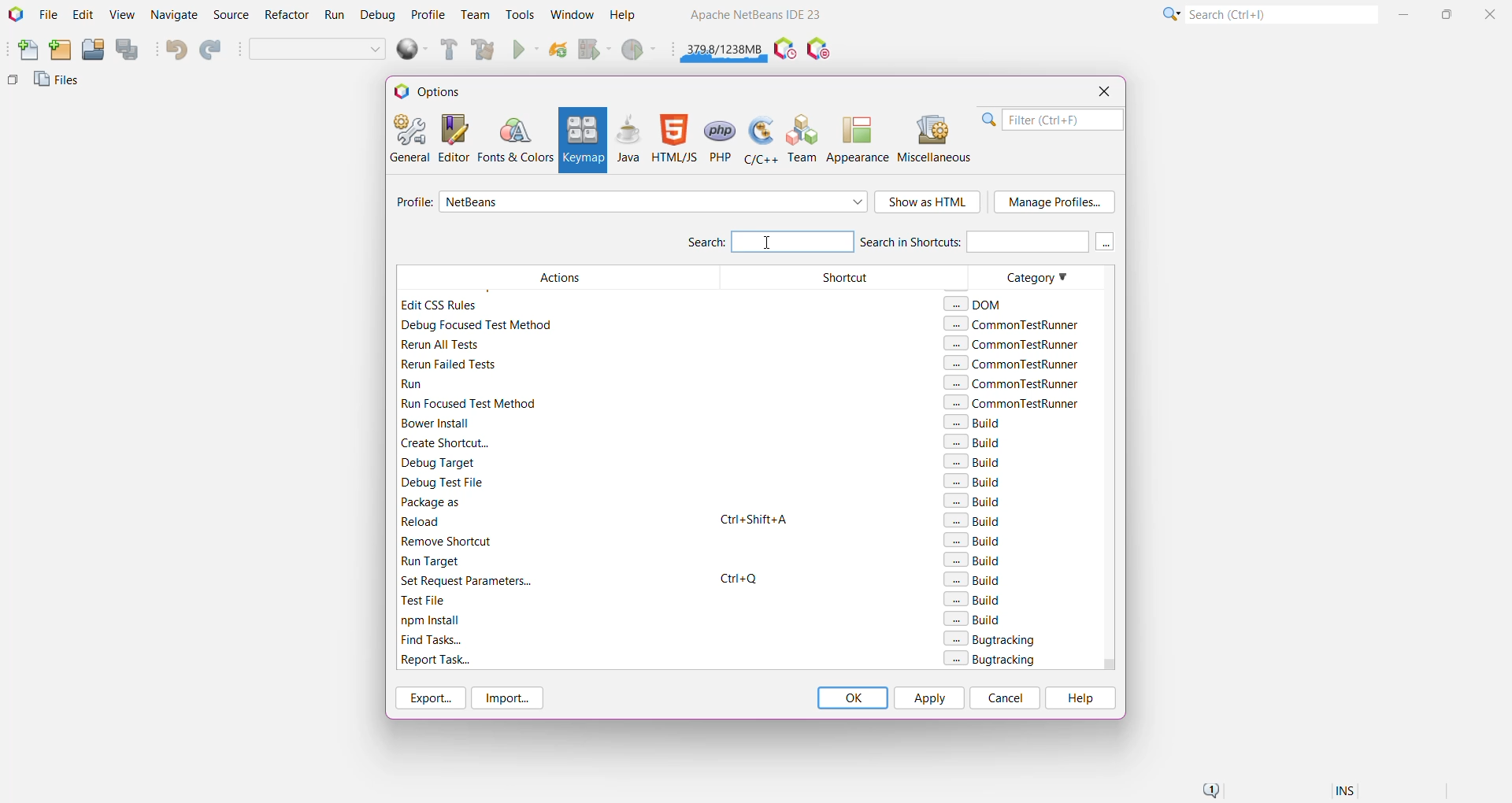  I want to click on Run, so click(526, 51).